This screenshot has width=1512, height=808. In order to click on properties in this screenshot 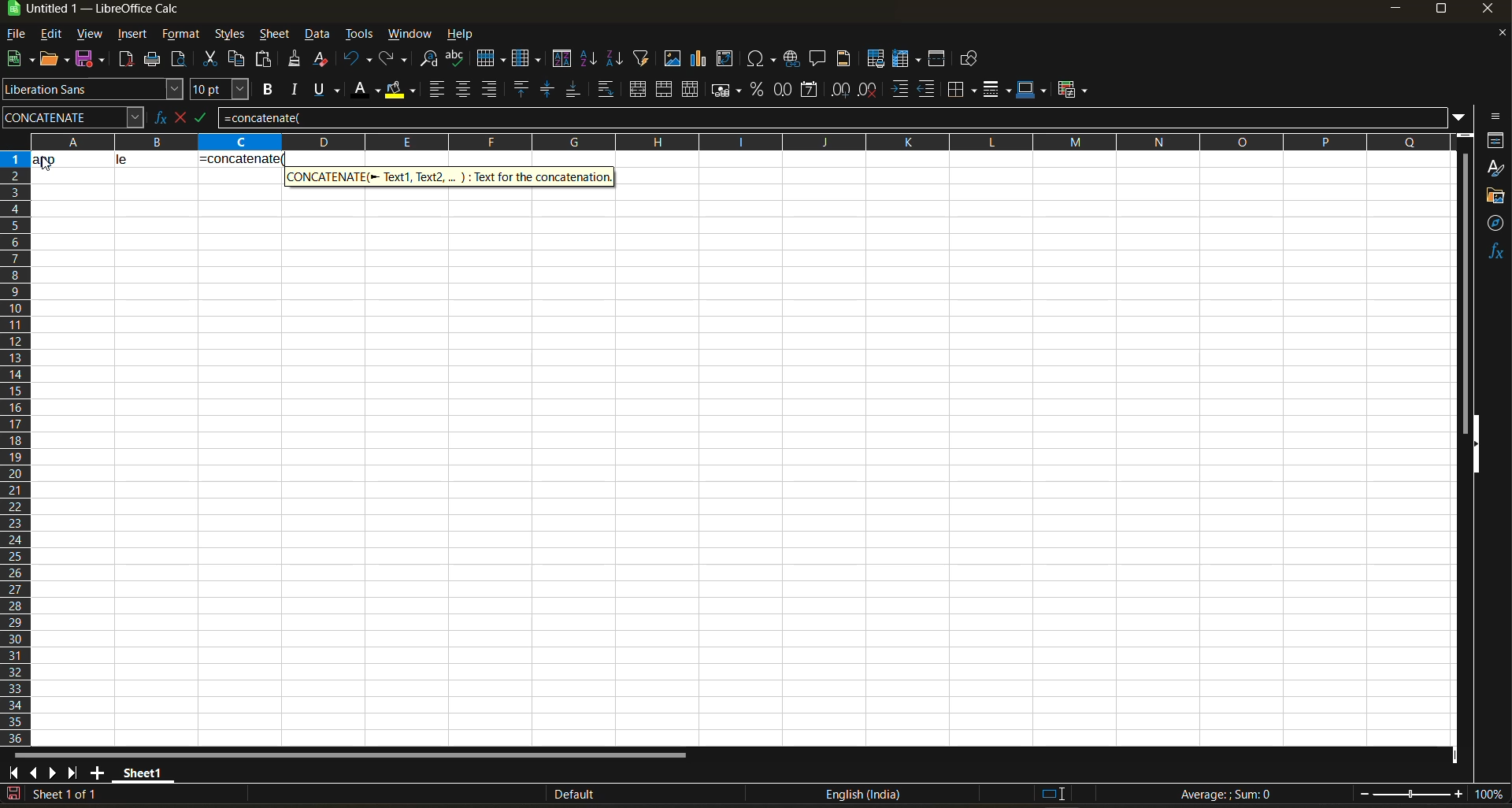, I will do `click(1496, 140)`.